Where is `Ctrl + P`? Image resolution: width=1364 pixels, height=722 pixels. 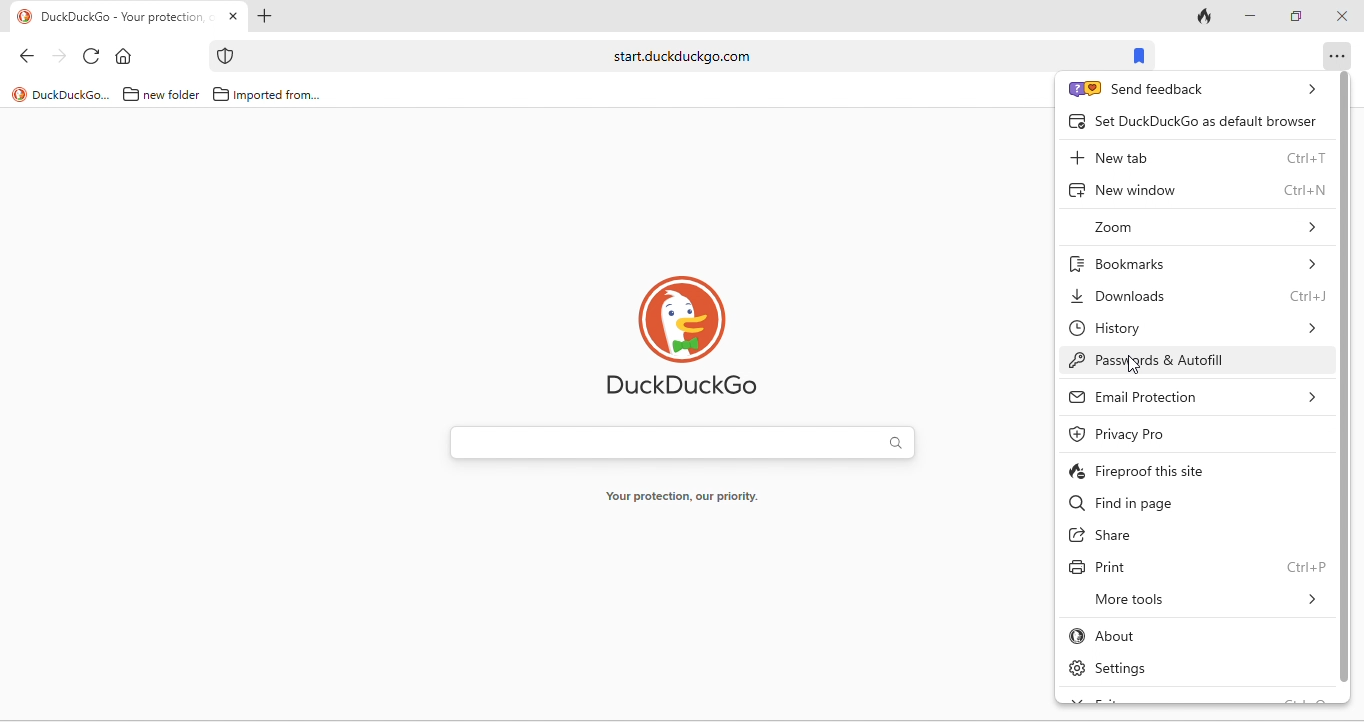 Ctrl + P is located at coordinates (1305, 568).